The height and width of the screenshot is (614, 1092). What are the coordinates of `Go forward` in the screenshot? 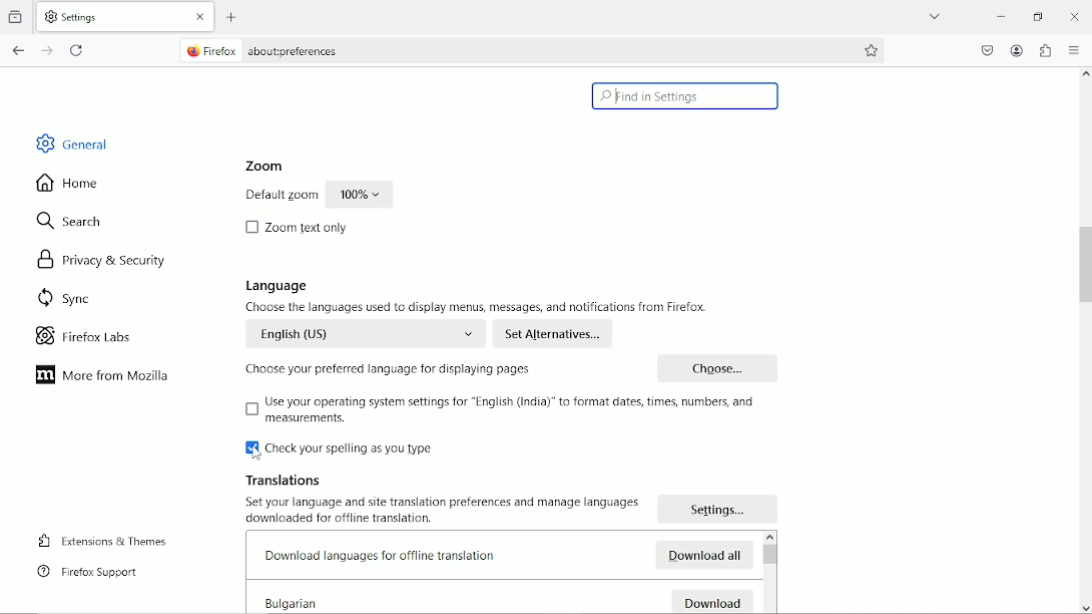 It's located at (48, 50).